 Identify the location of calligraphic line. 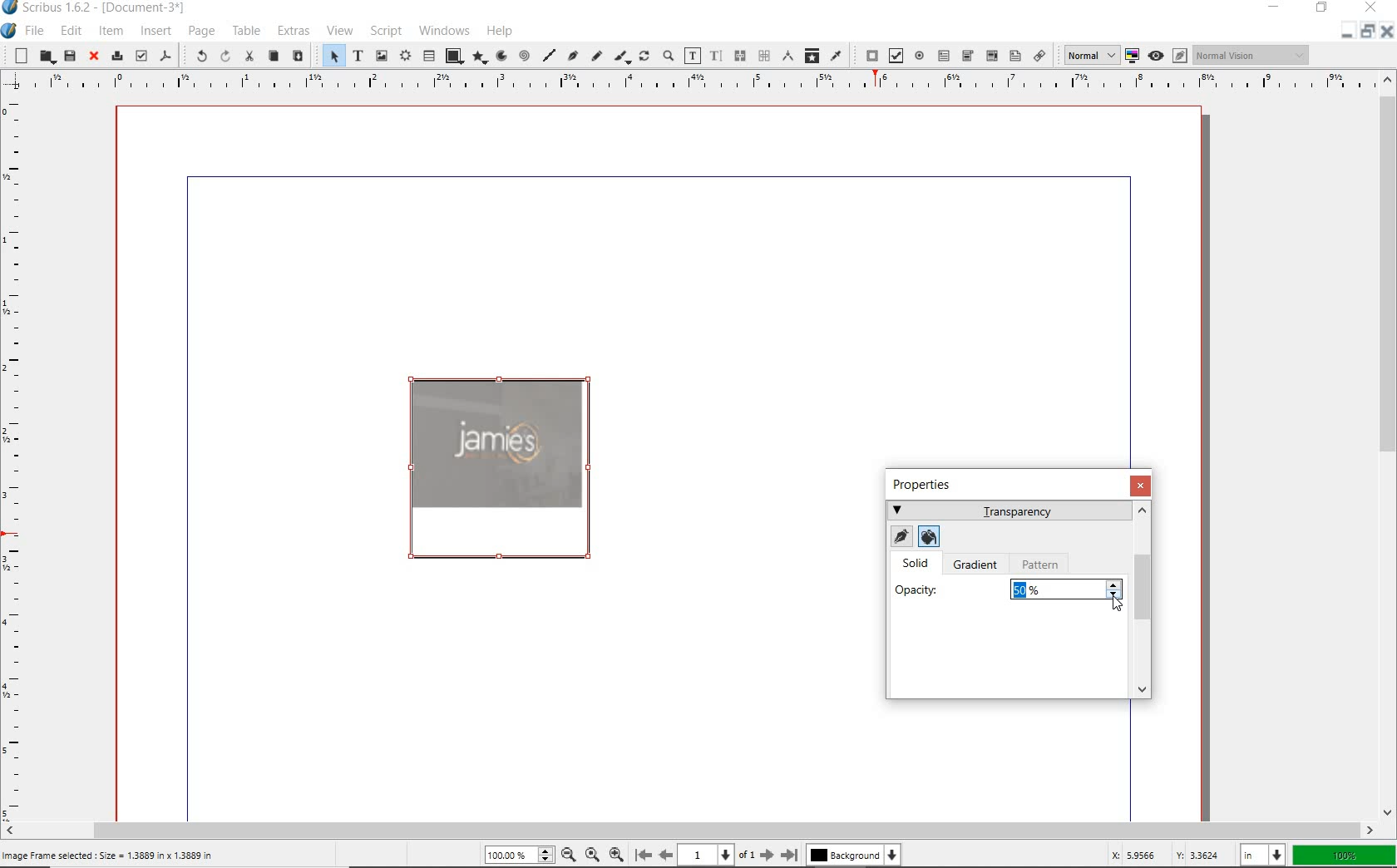
(621, 57).